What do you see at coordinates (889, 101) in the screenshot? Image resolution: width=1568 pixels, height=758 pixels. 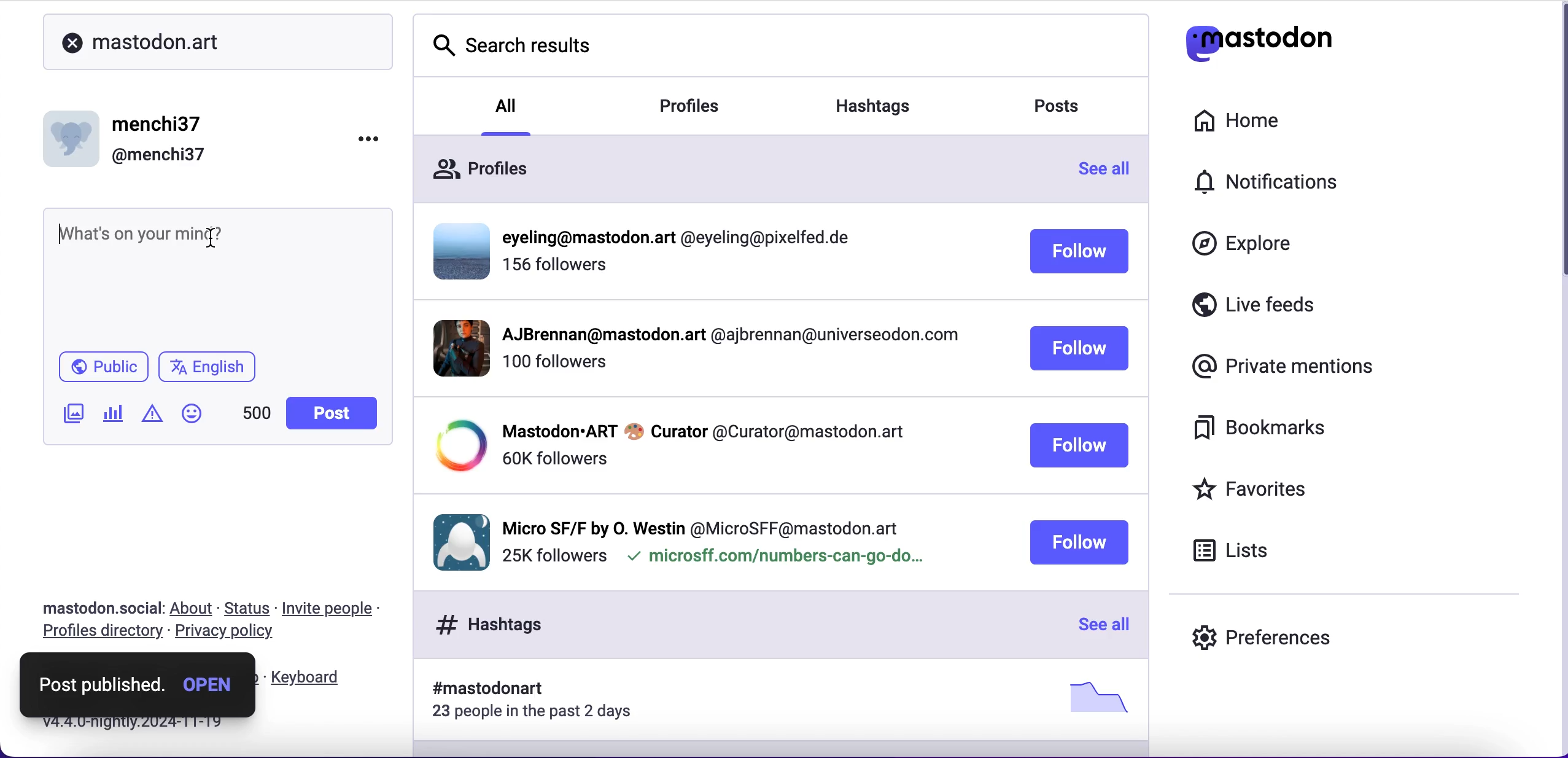 I see `hashtags` at bounding box center [889, 101].